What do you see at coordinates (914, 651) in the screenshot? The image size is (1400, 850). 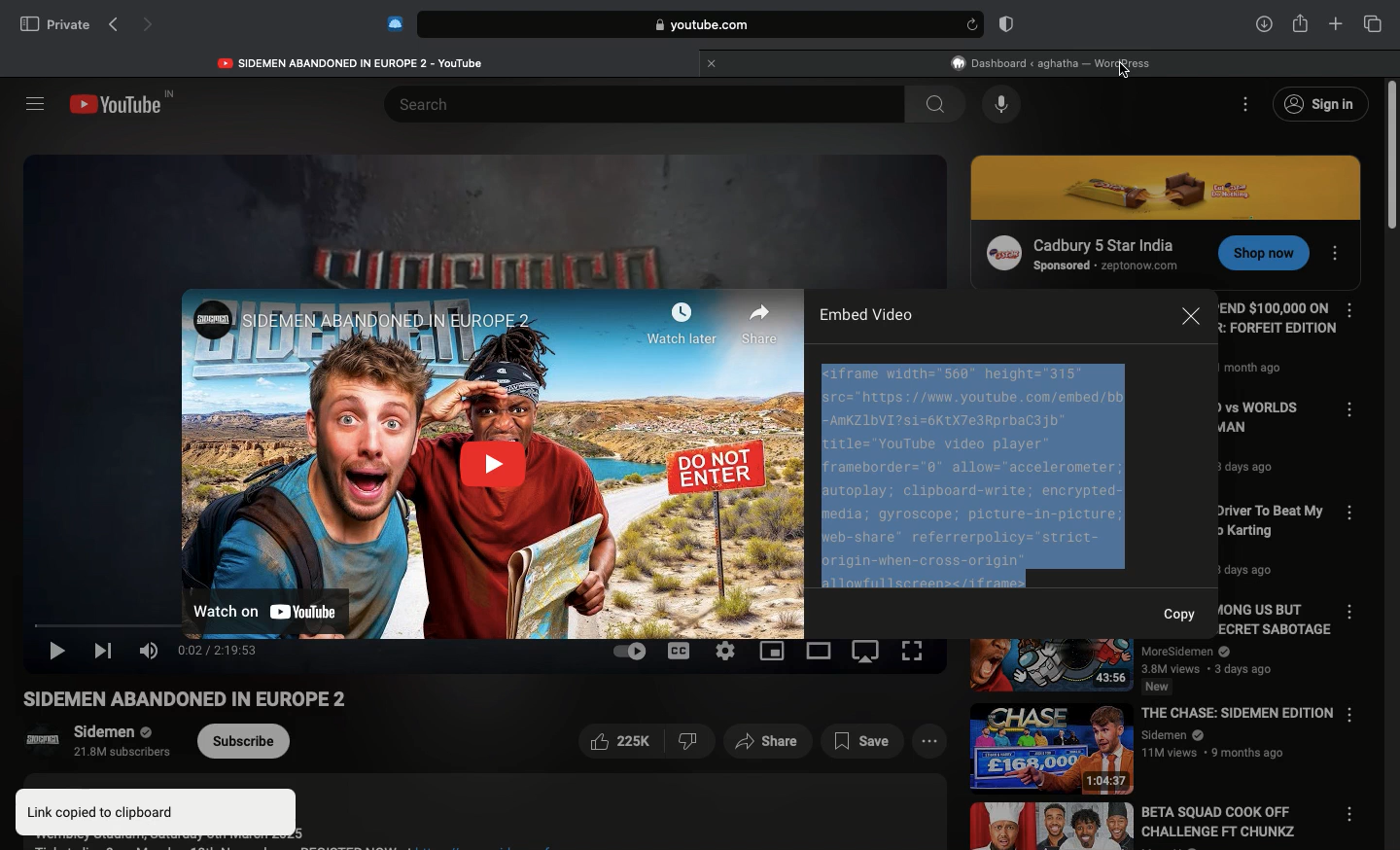 I see `Full screen` at bounding box center [914, 651].